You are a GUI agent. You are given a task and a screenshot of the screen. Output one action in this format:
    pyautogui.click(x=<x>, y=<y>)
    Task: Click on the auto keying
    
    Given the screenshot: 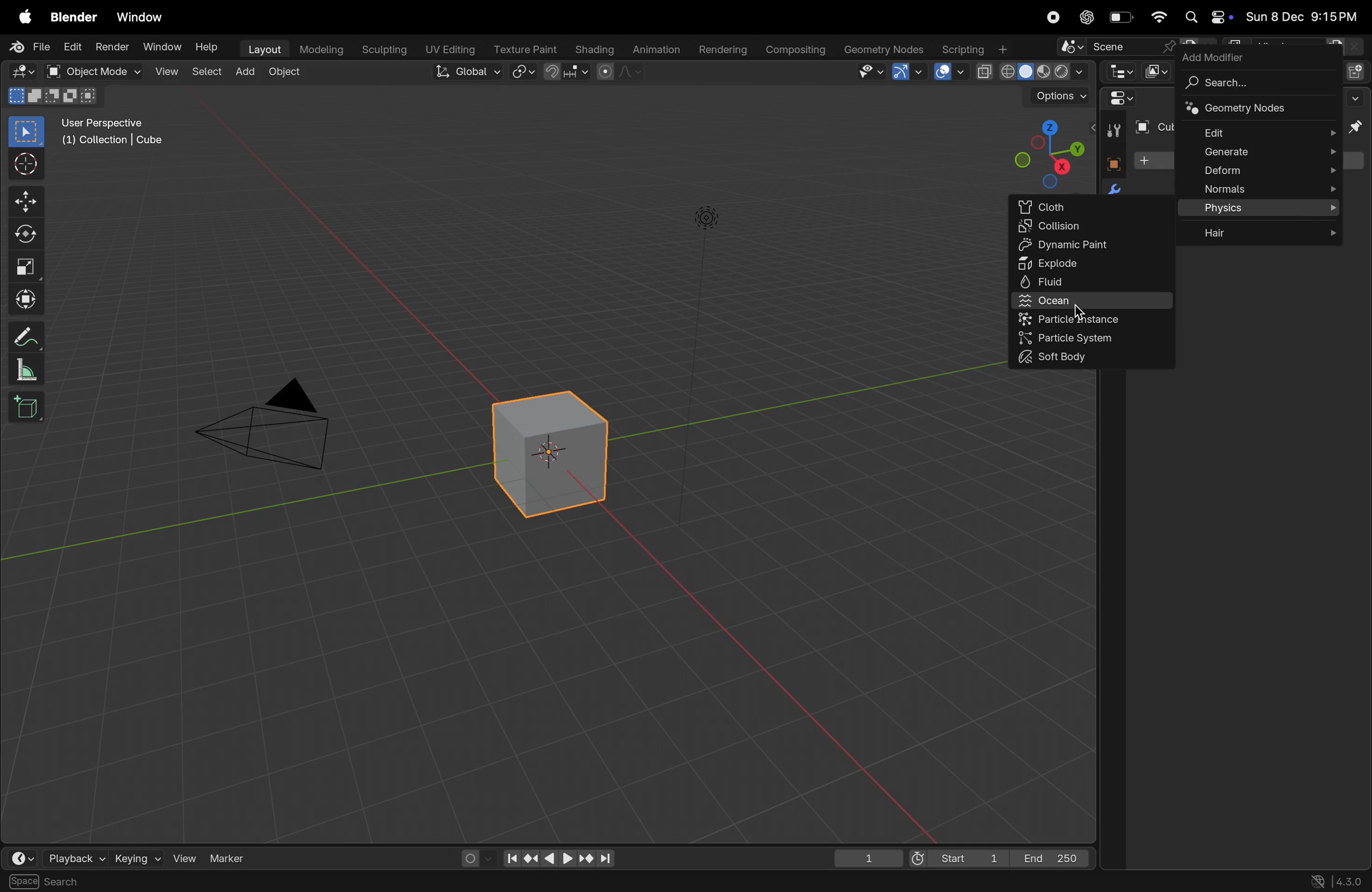 What is the action you would take?
    pyautogui.click(x=472, y=856)
    